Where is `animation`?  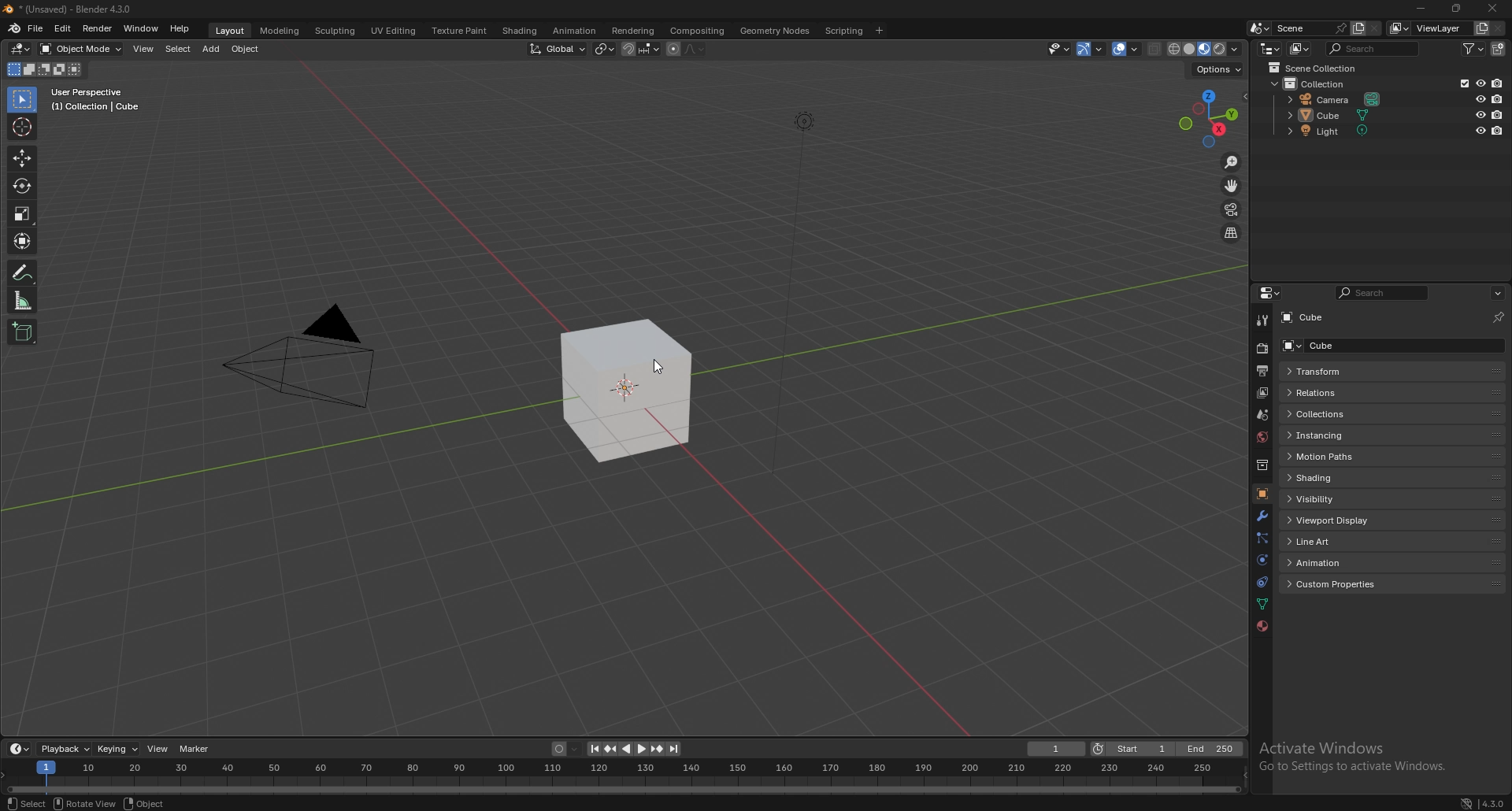
animation is located at coordinates (575, 31).